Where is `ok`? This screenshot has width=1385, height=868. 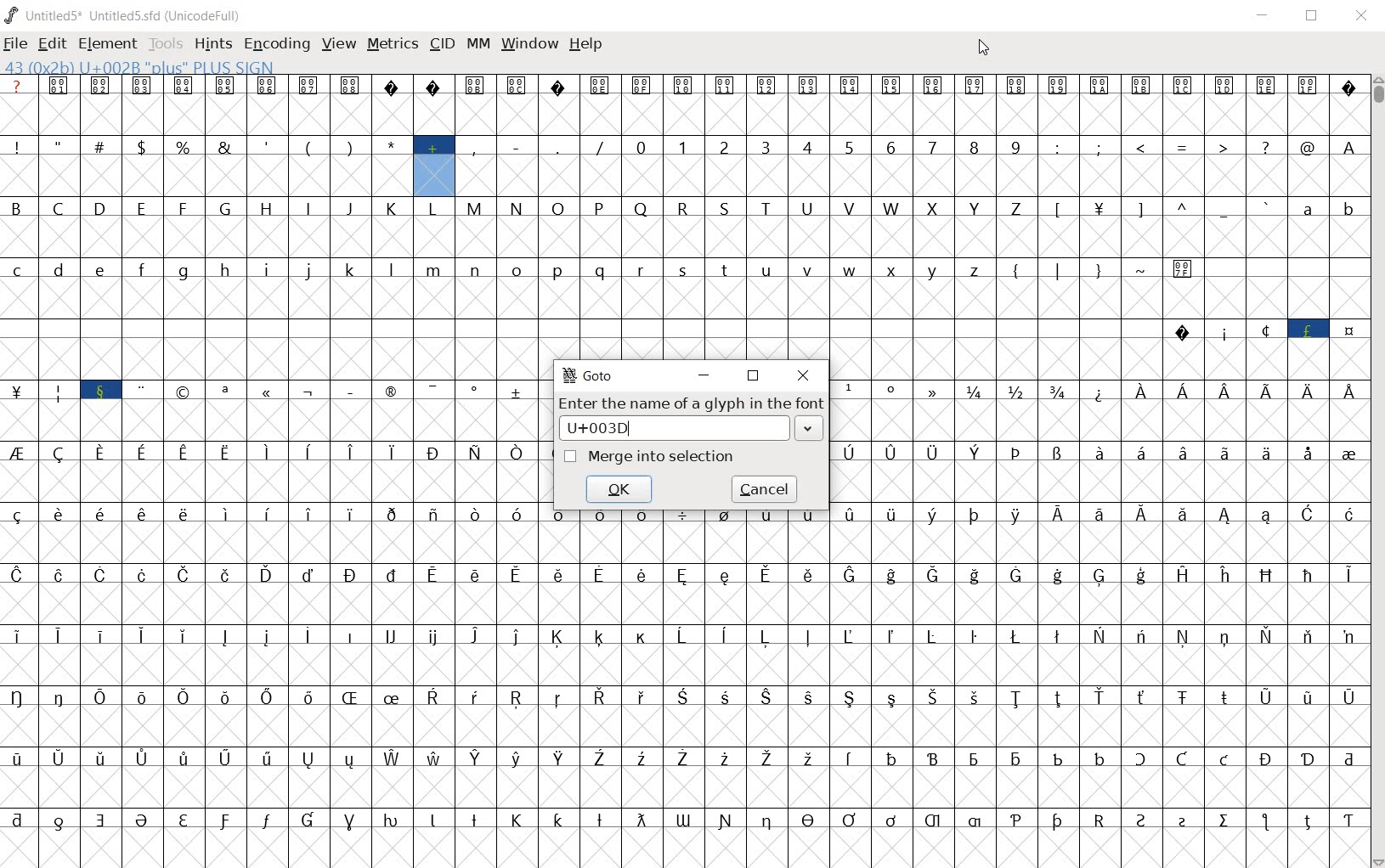
ok is located at coordinates (623, 490).